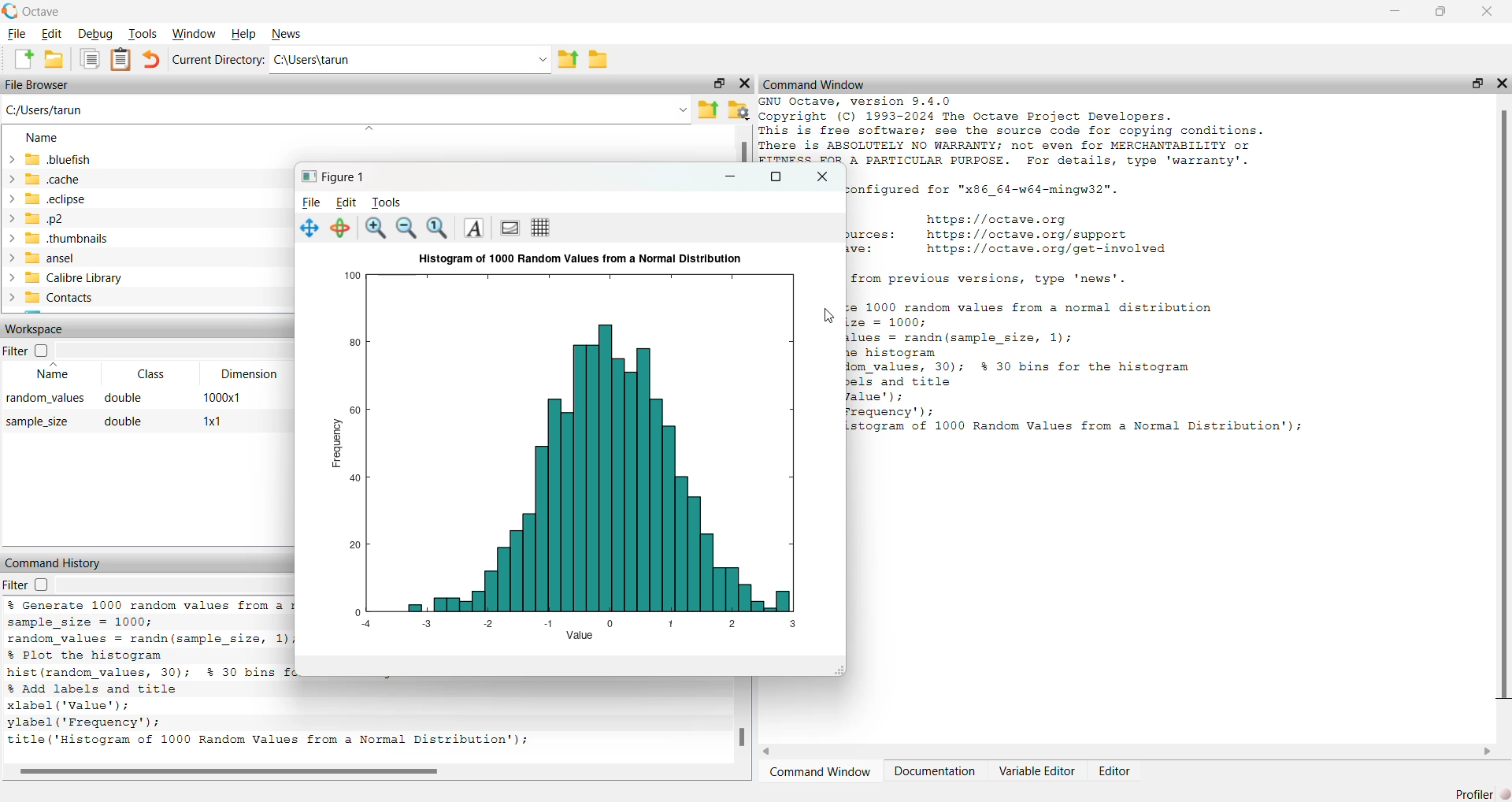  What do you see at coordinates (473, 227) in the screenshot?
I see `Text tool` at bounding box center [473, 227].